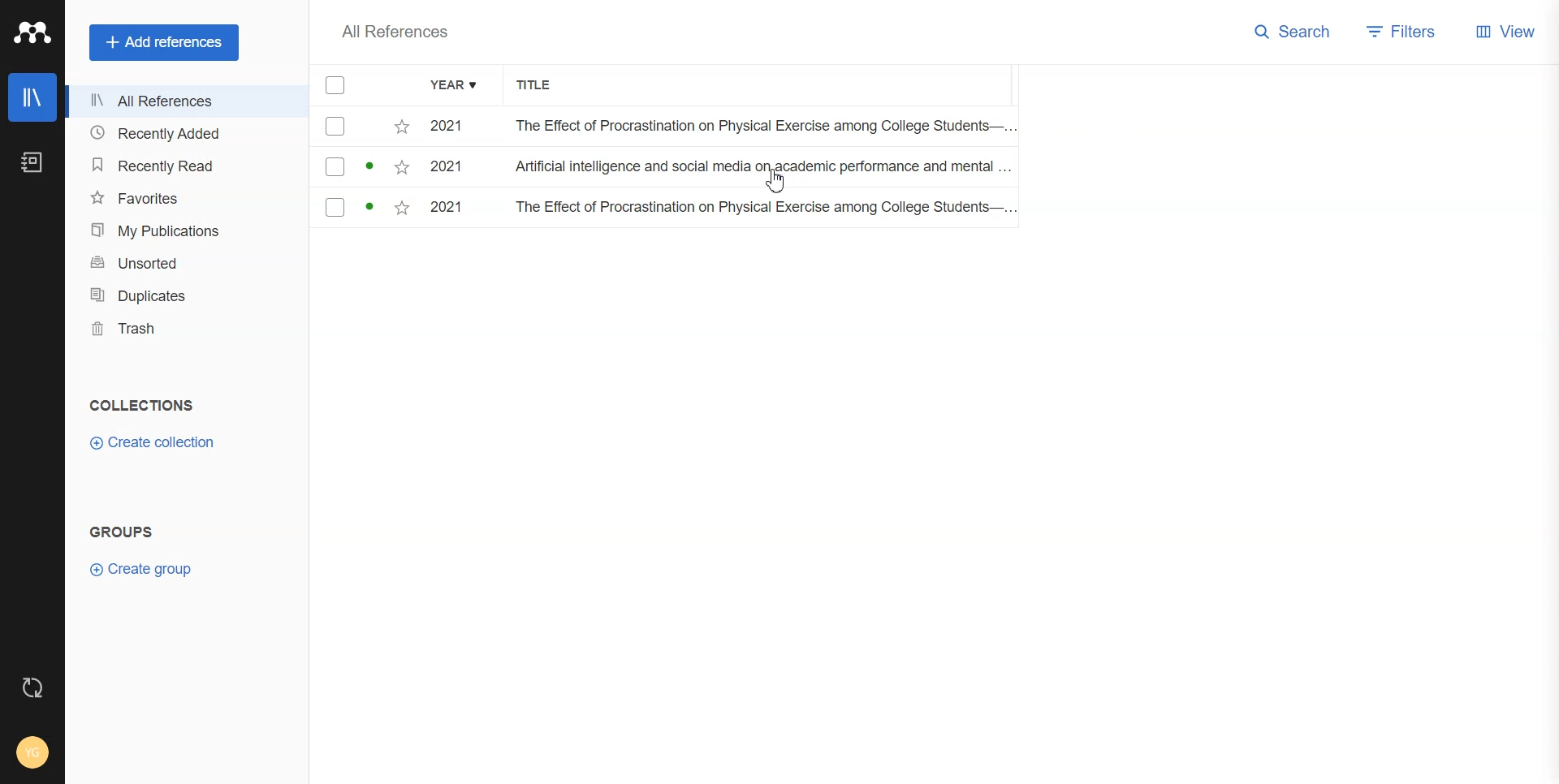  What do you see at coordinates (186, 329) in the screenshot?
I see `Trash` at bounding box center [186, 329].